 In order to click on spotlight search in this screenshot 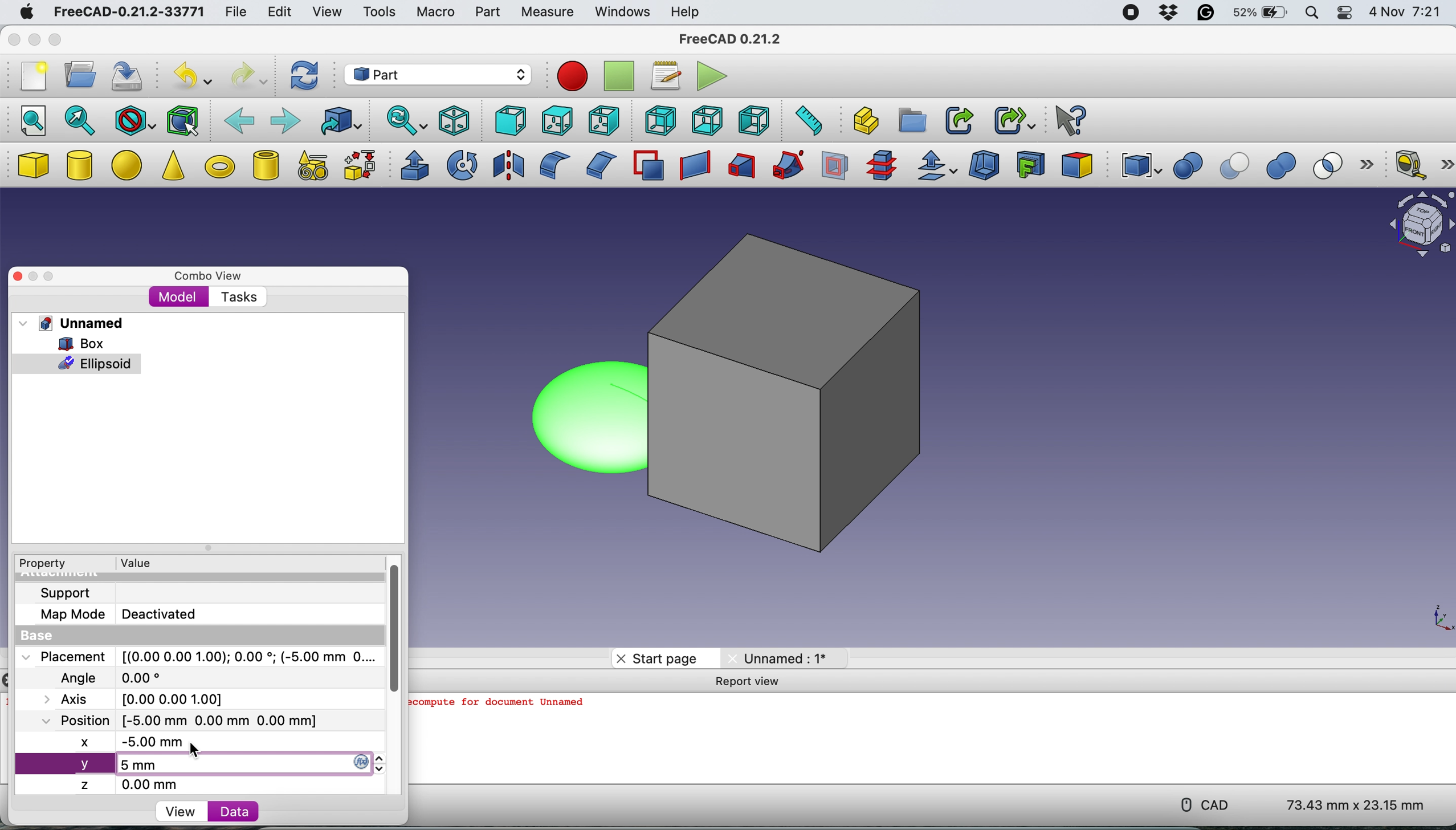, I will do `click(1311, 14)`.